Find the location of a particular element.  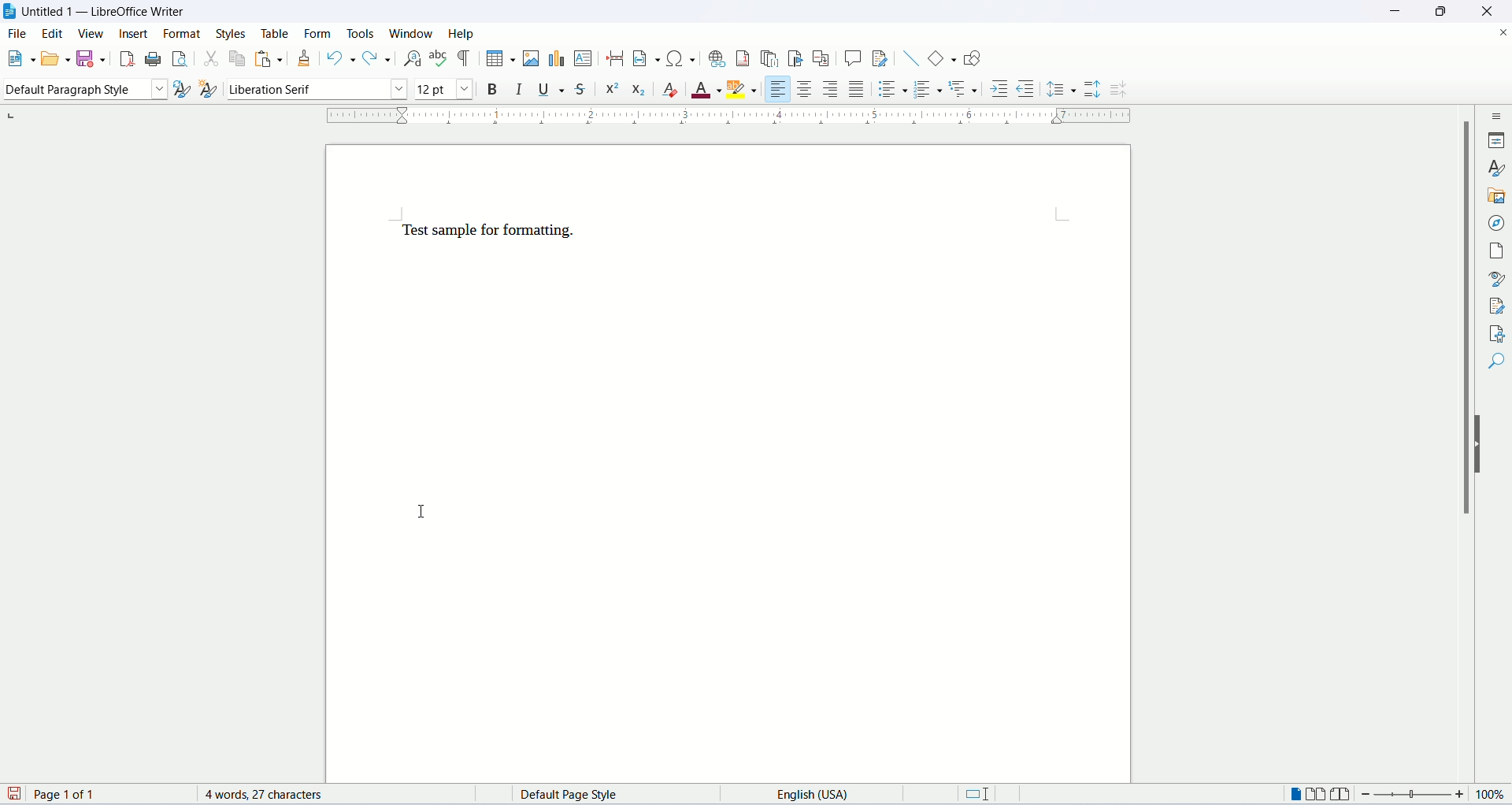

insert field is located at coordinates (644, 57).